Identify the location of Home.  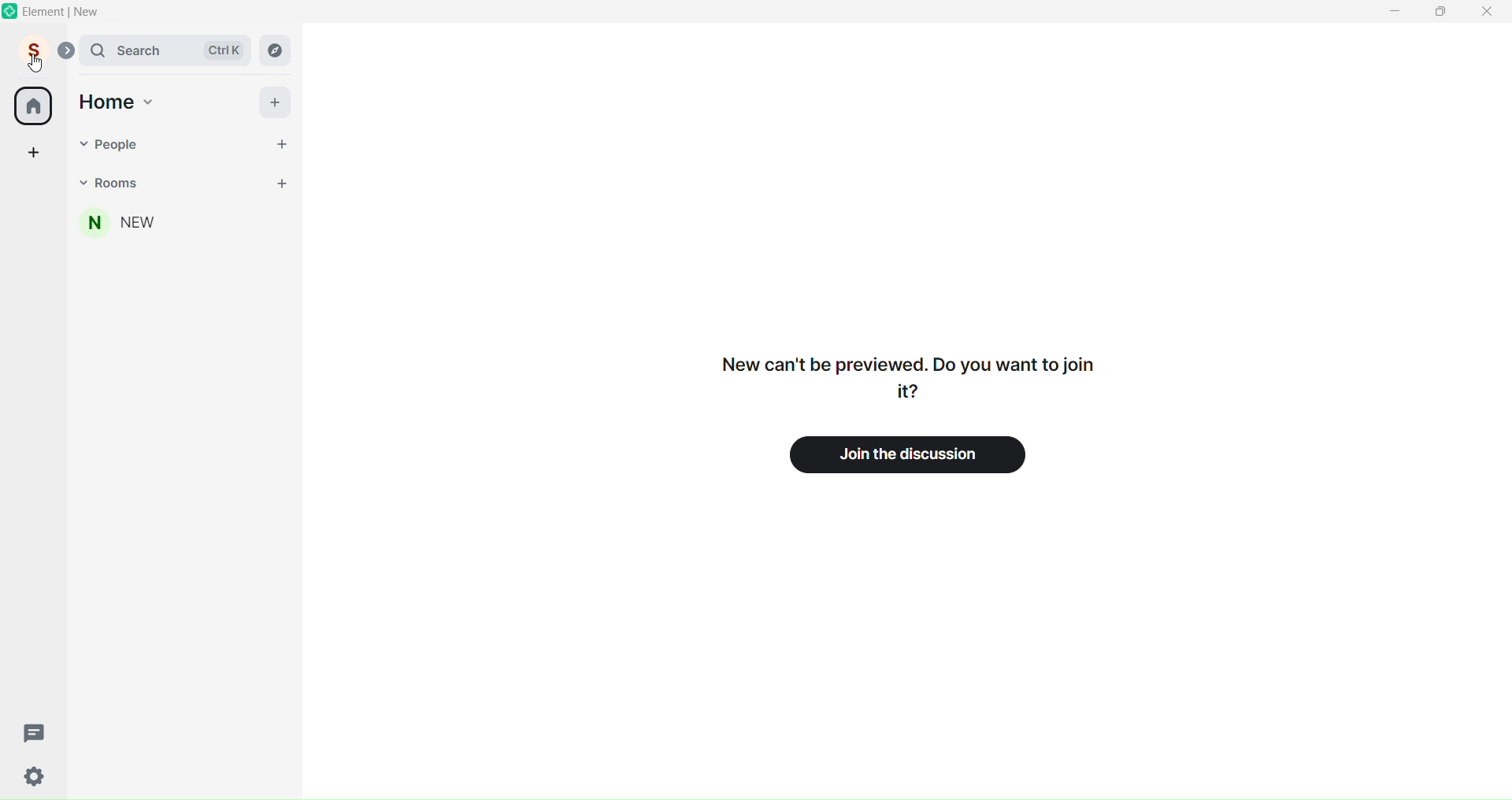
(107, 101).